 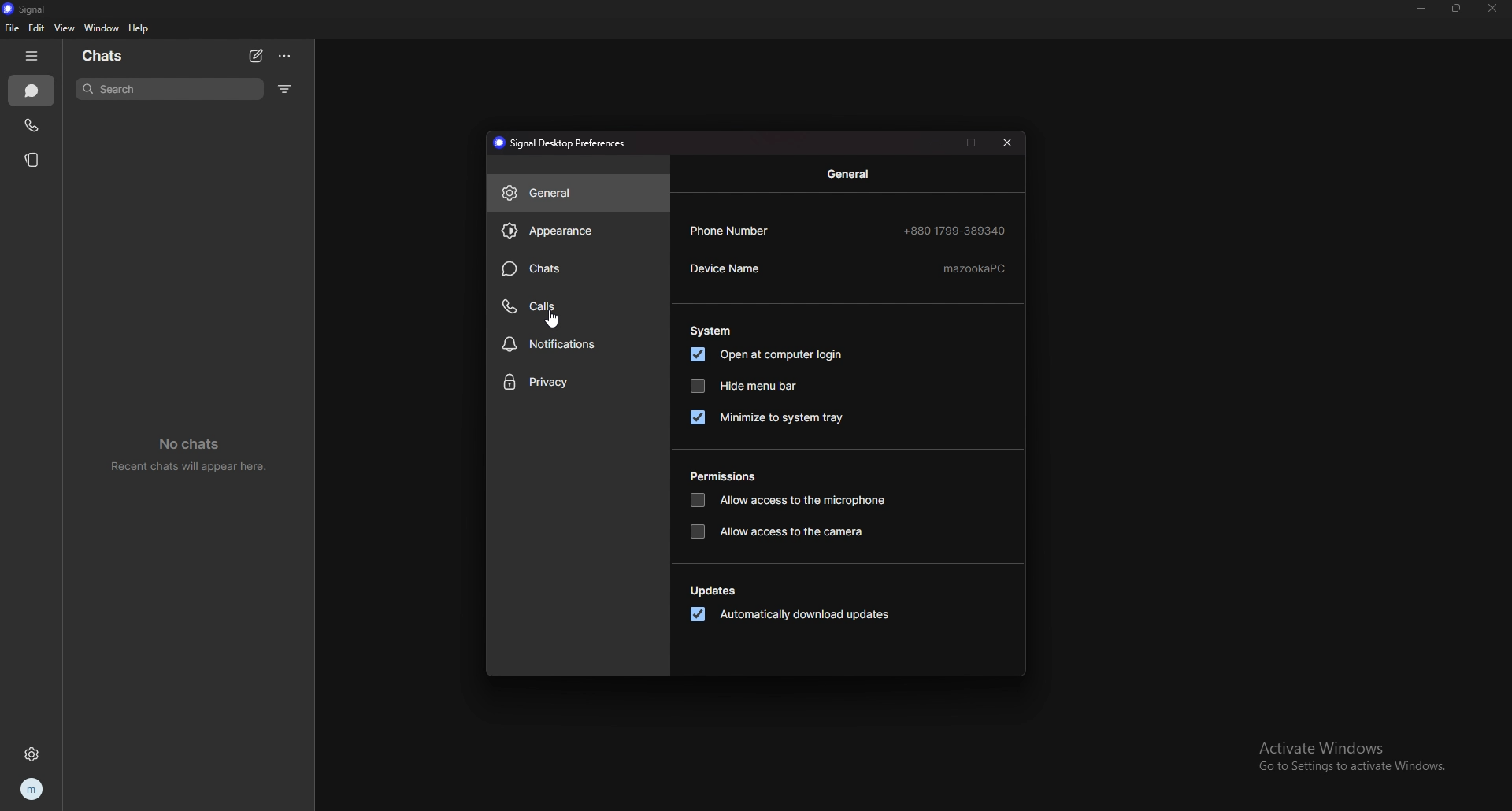 What do you see at coordinates (285, 89) in the screenshot?
I see `filter` at bounding box center [285, 89].